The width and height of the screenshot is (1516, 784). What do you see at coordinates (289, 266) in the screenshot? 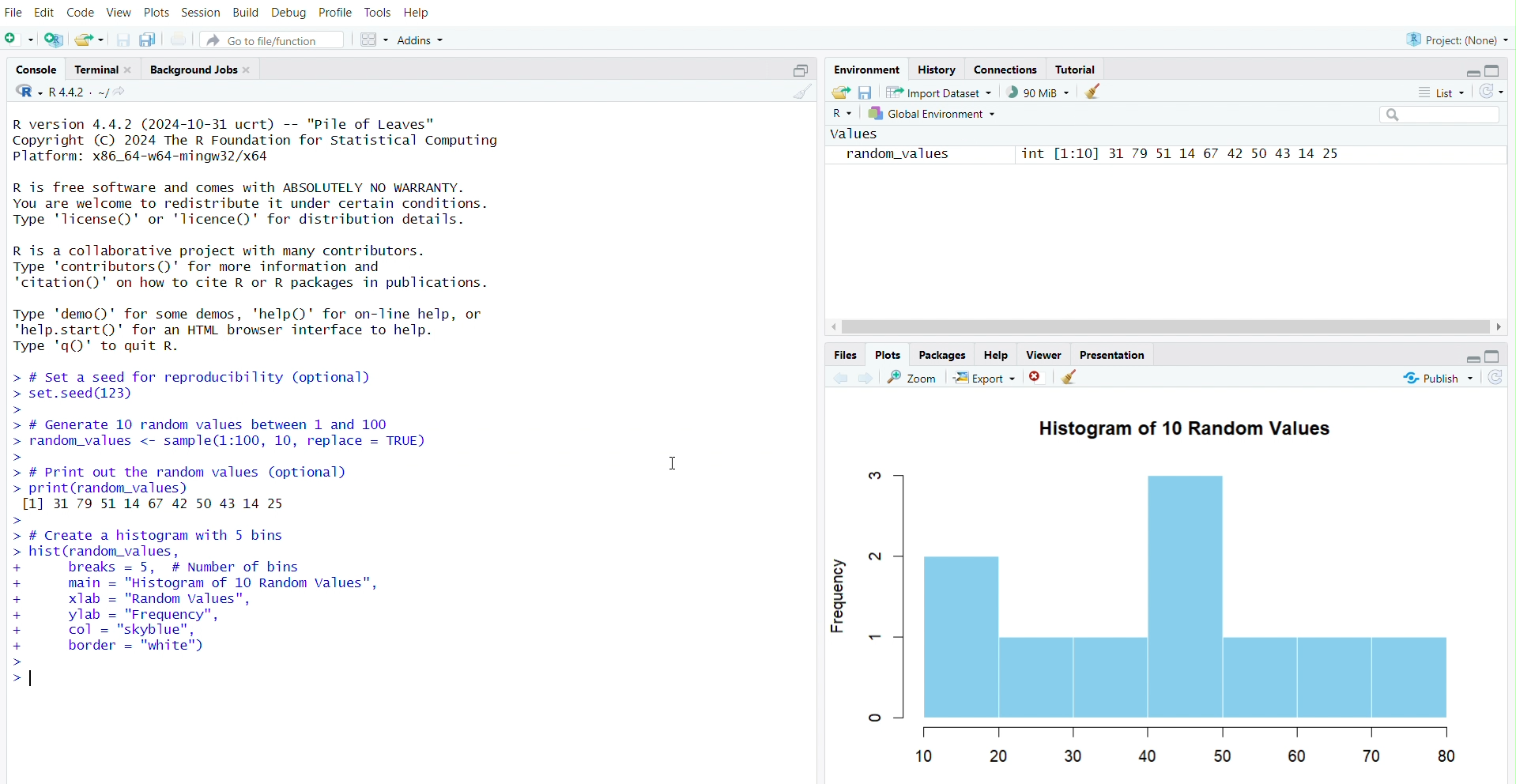
I see `details of contributors` at bounding box center [289, 266].